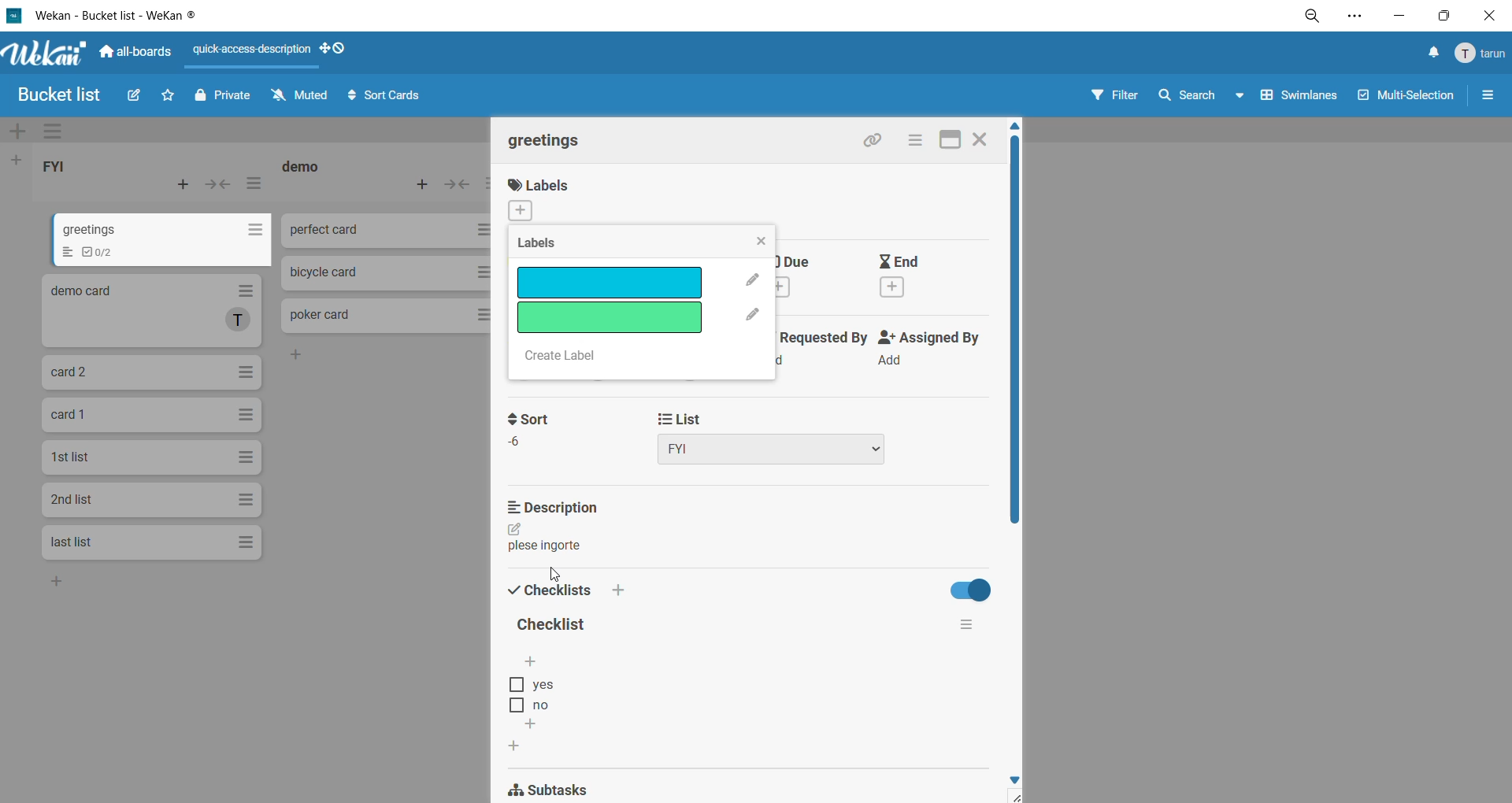  Describe the element at coordinates (539, 432) in the screenshot. I see `sort` at that location.